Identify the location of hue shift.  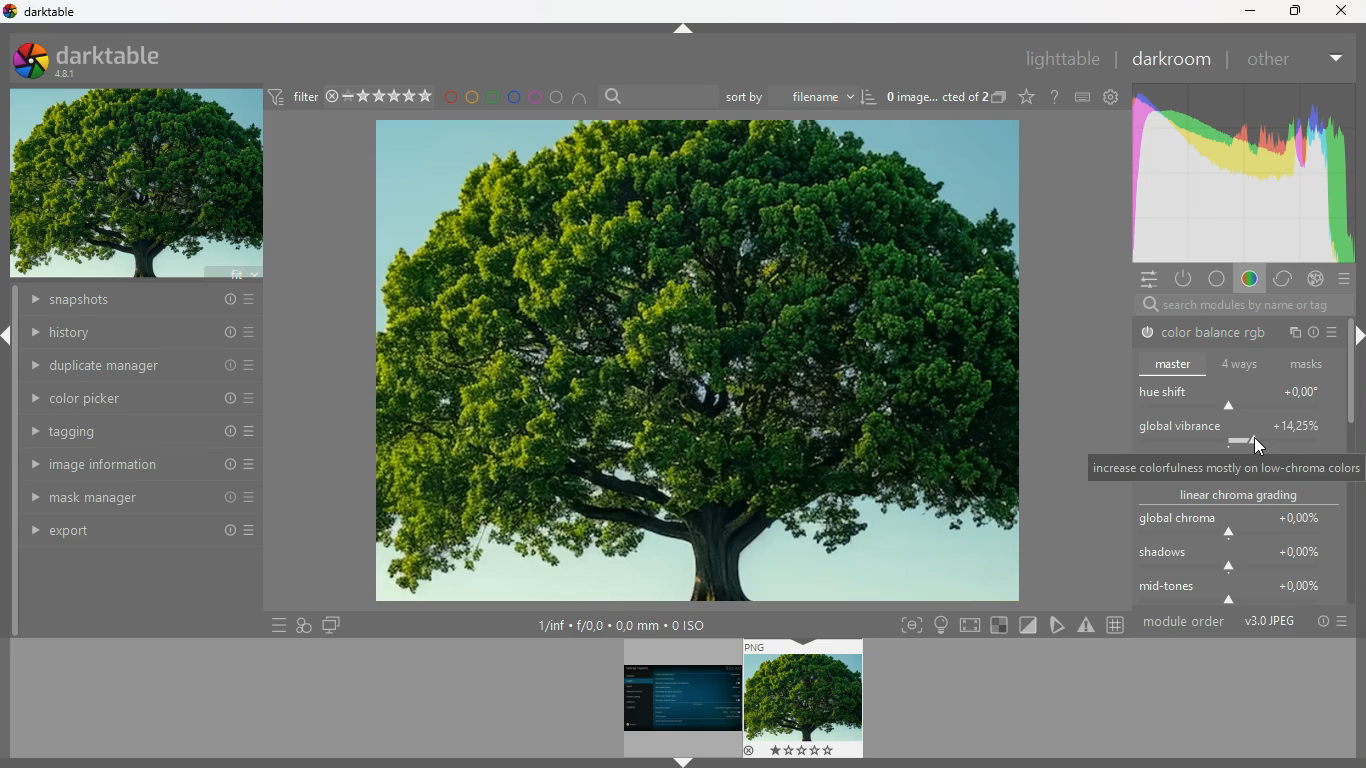
(1239, 398).